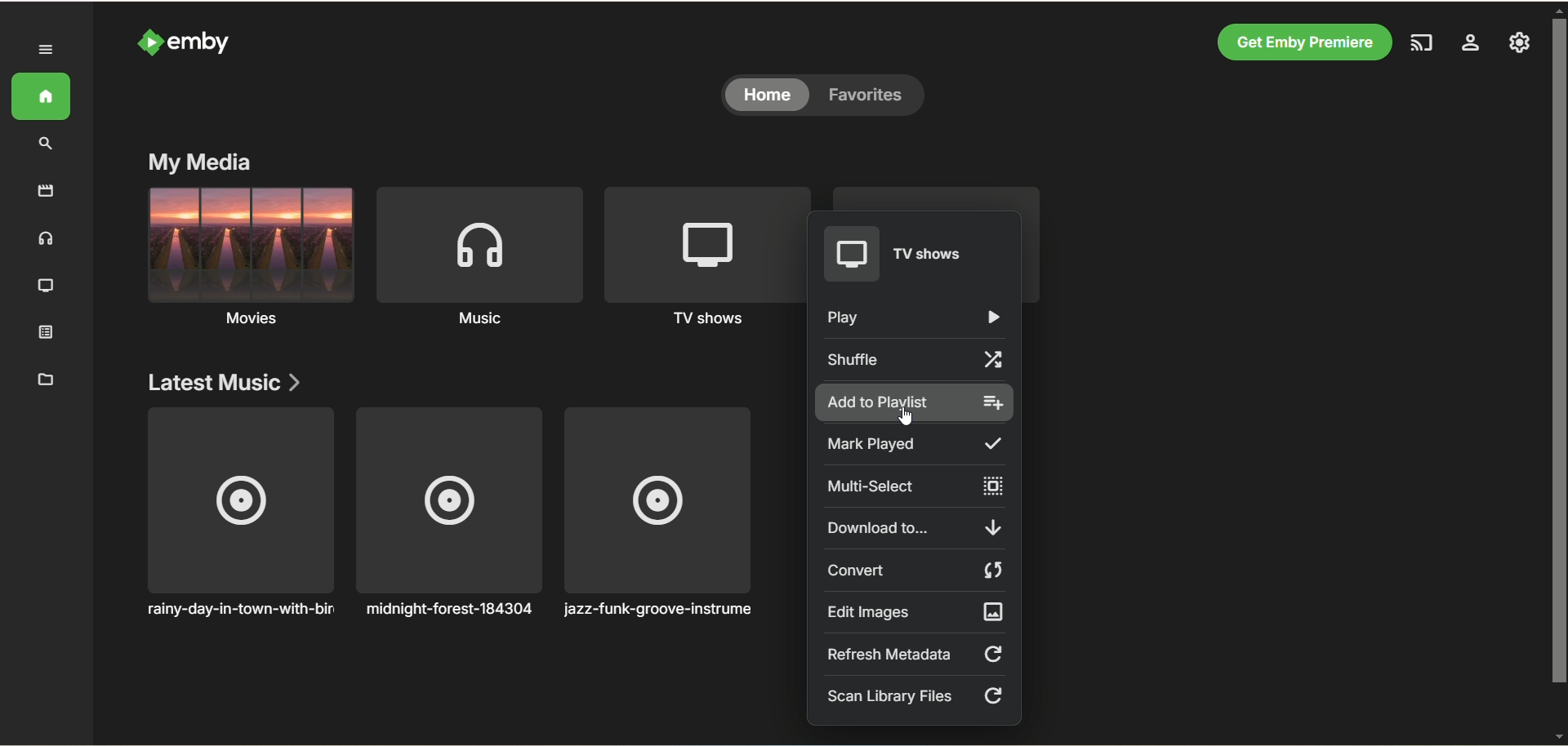  What do you see at coordinates (1419, 45) in the screenshot?
I see `play on another device` at bounding box center [1419, 45].